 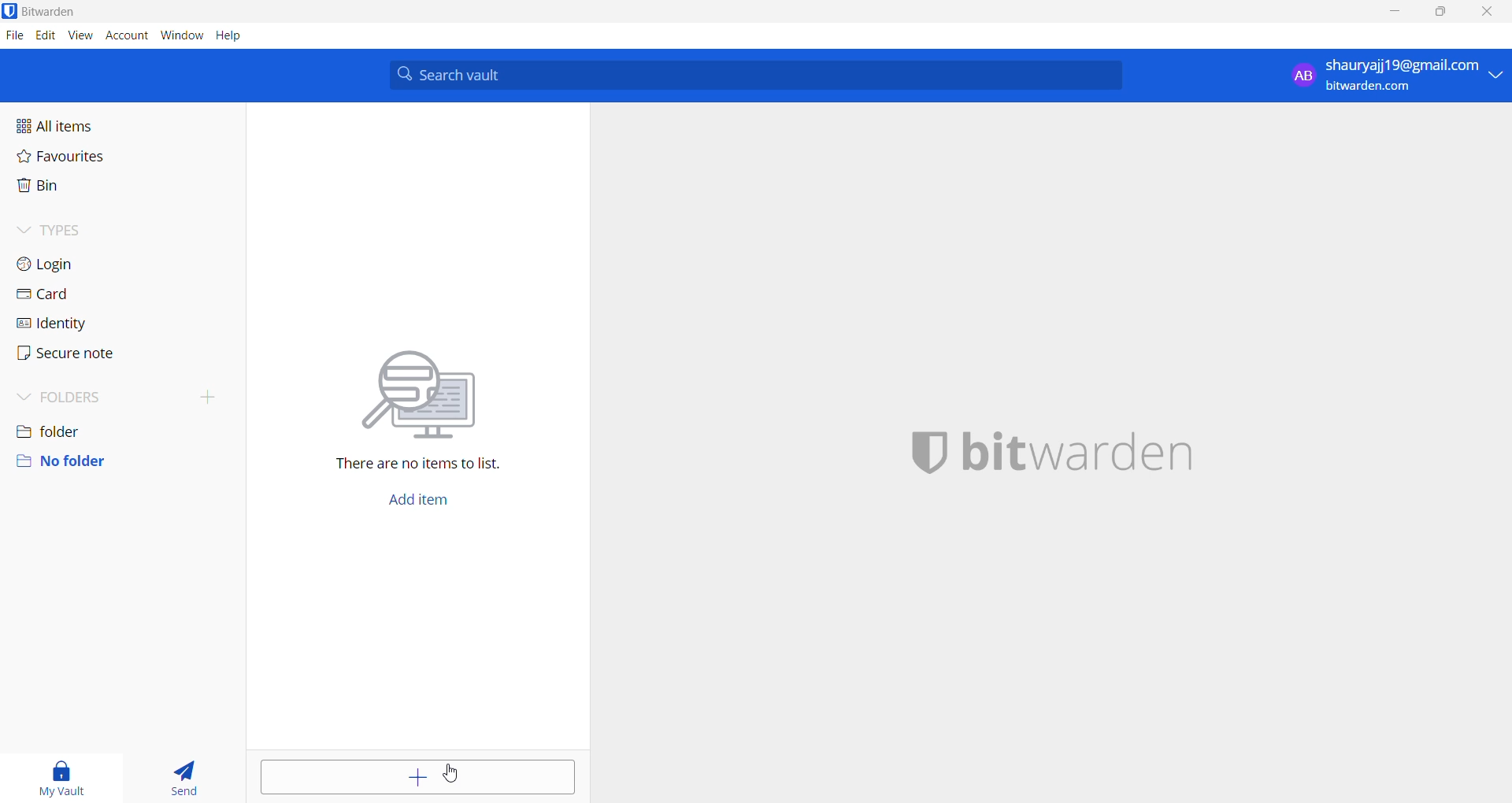 I want to click on search bar, so click(x=755, y=74).